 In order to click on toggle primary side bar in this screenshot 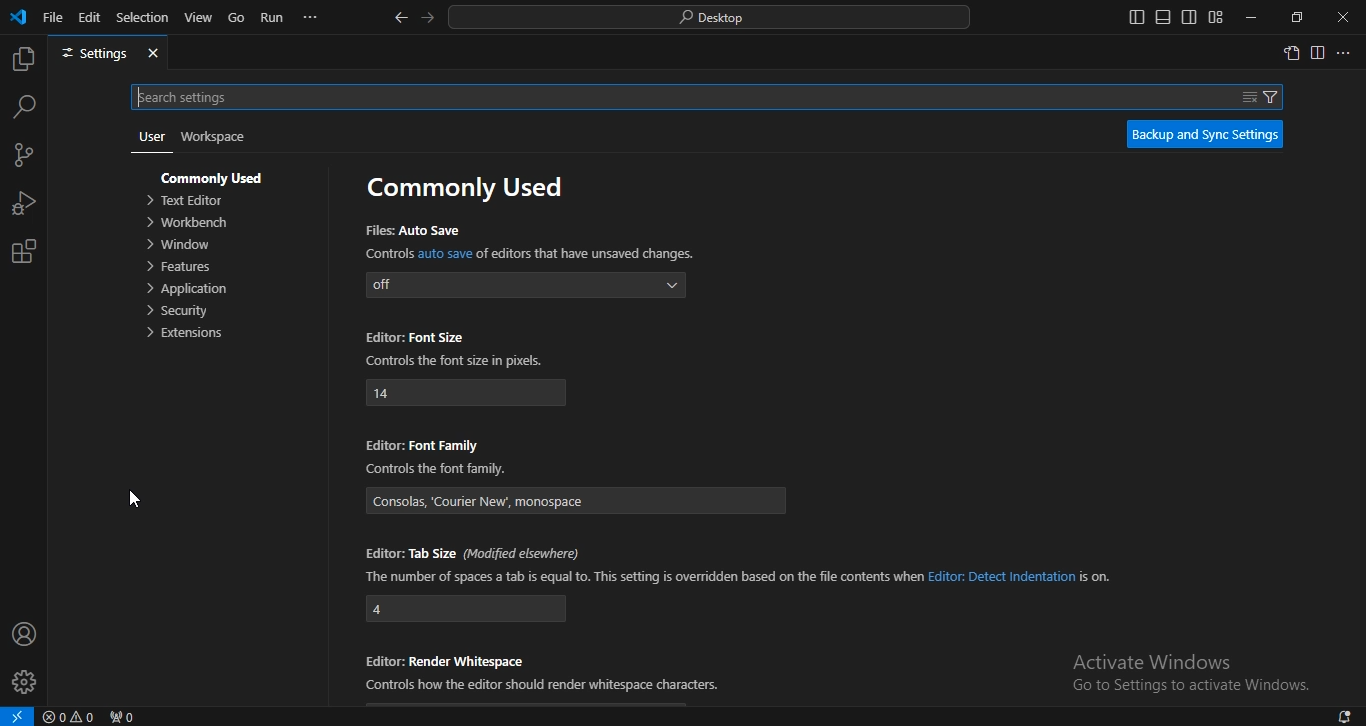, I will do `click(1134, 18)`.